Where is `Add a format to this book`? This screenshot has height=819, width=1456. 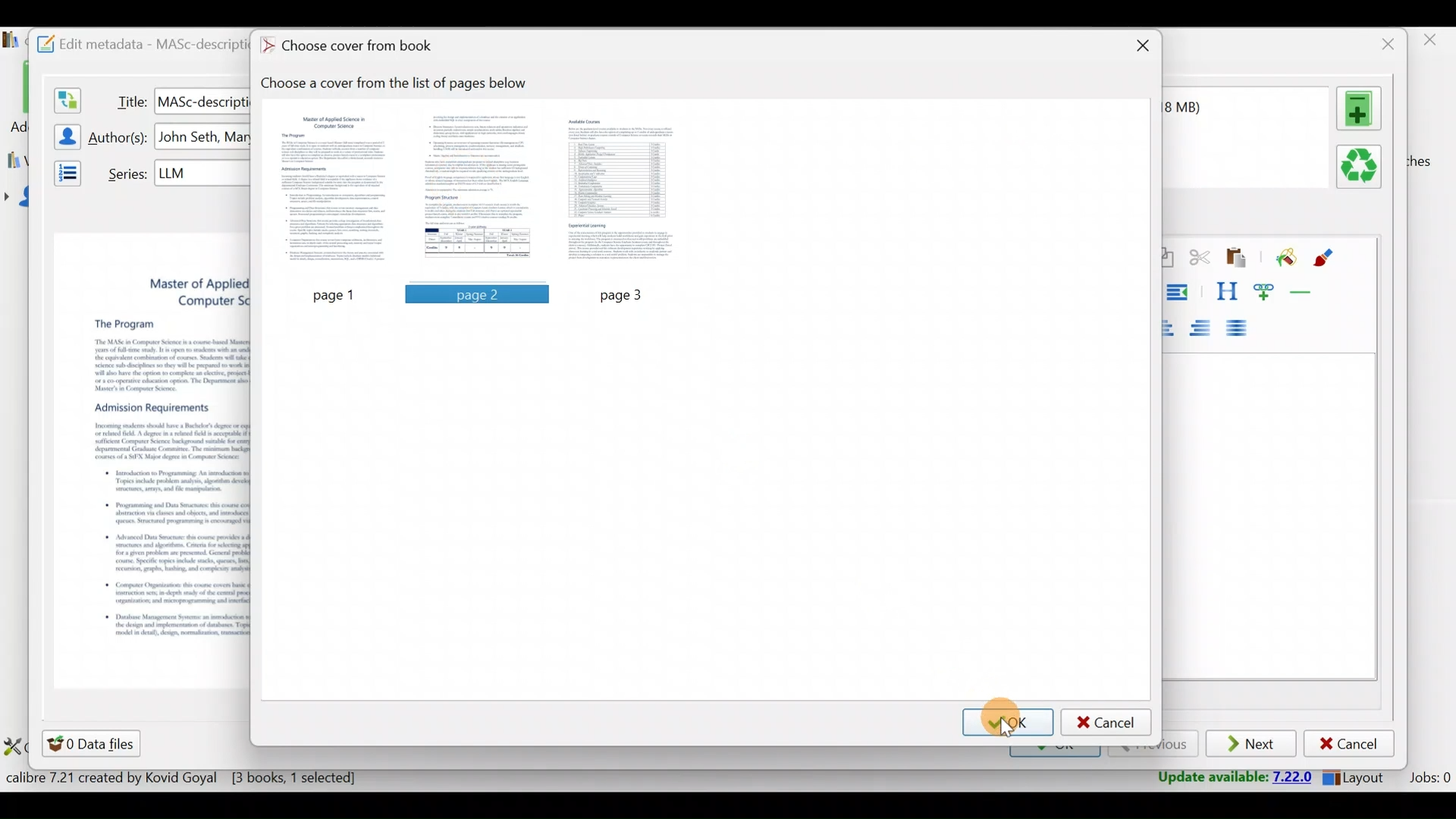
Add a format to this book is located at coordinates (1362, 108).